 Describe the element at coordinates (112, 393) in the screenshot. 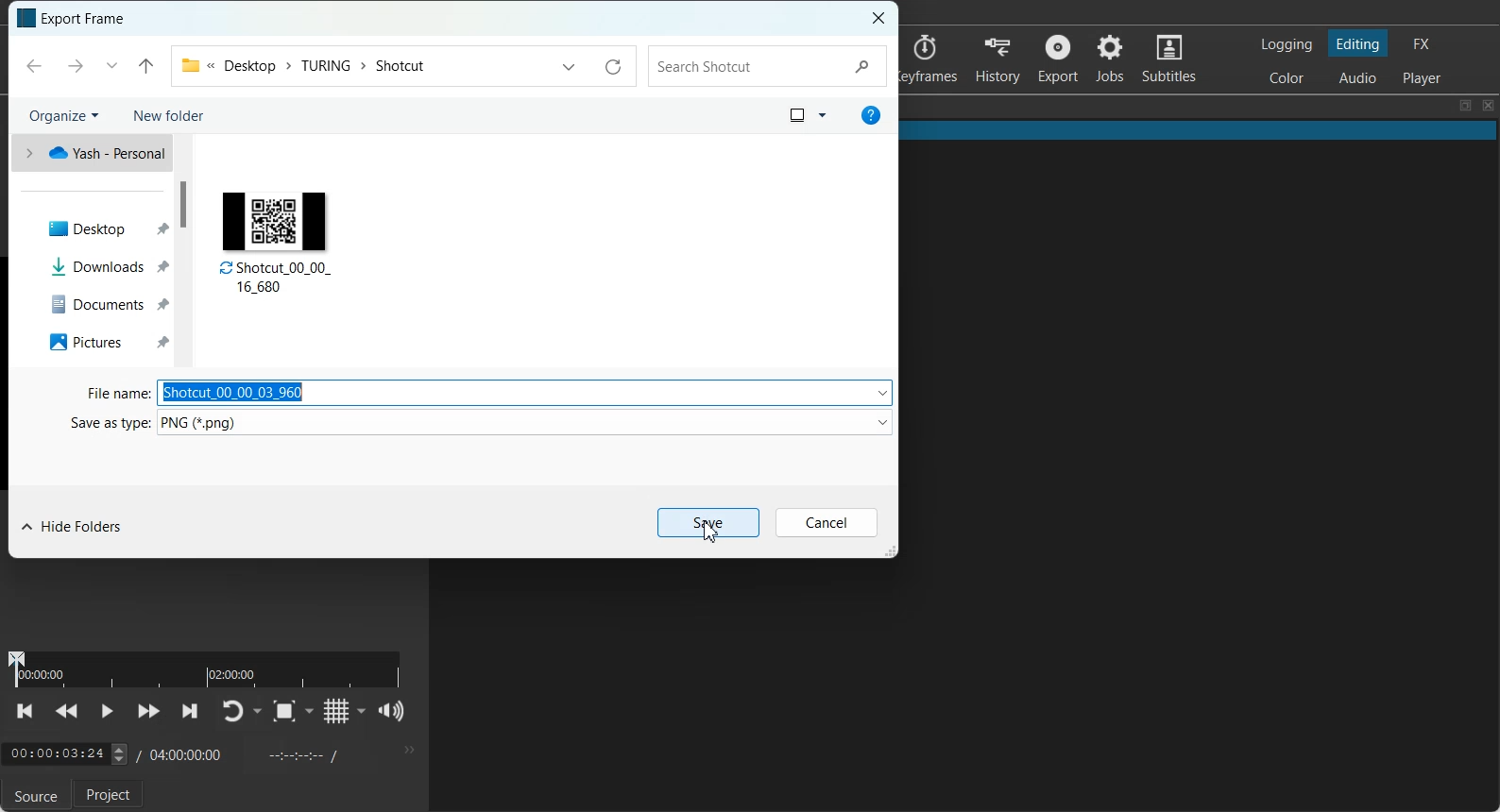

I see `File Name` at that location.